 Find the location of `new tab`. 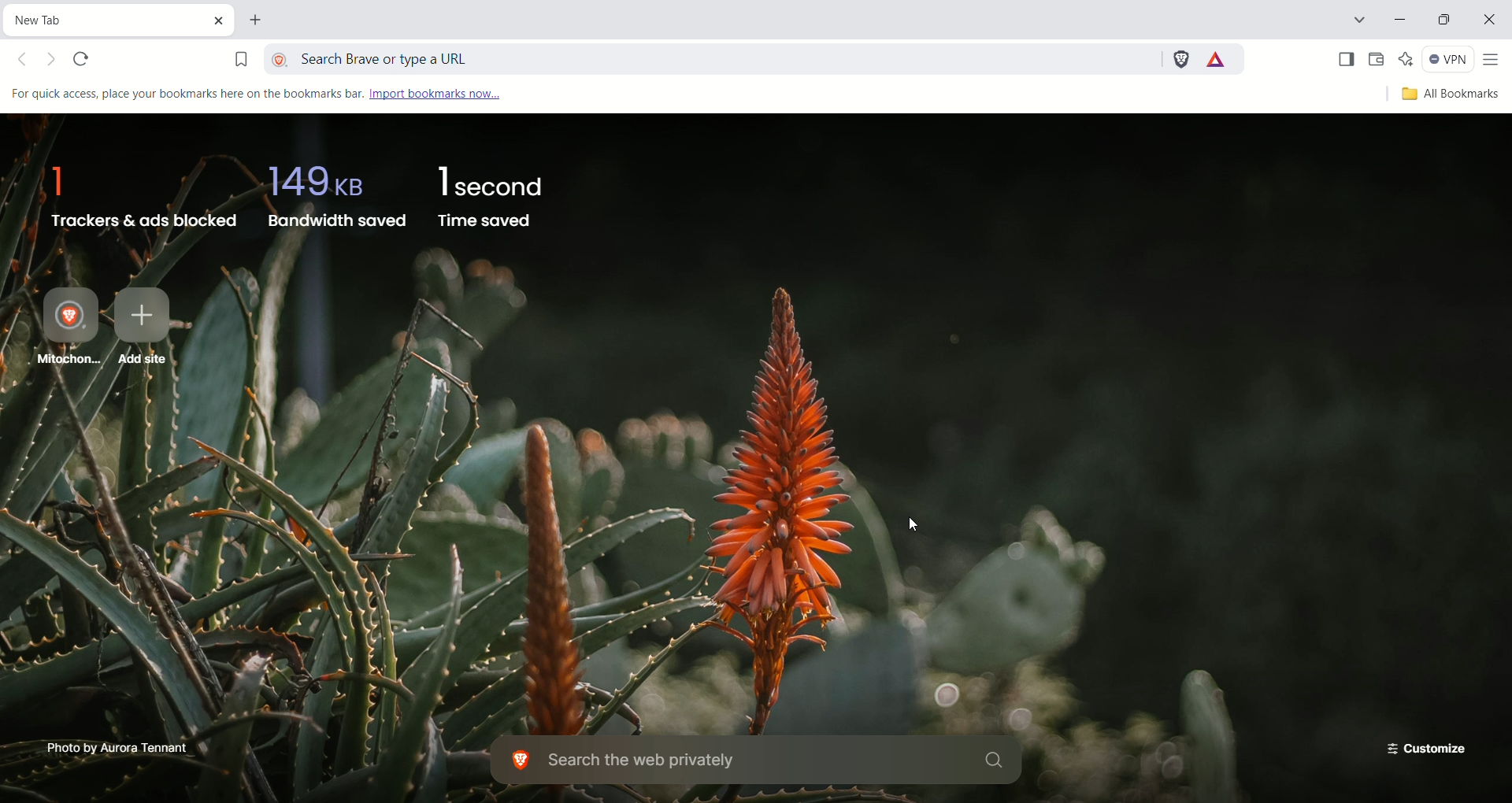

new tab is located at coordinates (258, 22).